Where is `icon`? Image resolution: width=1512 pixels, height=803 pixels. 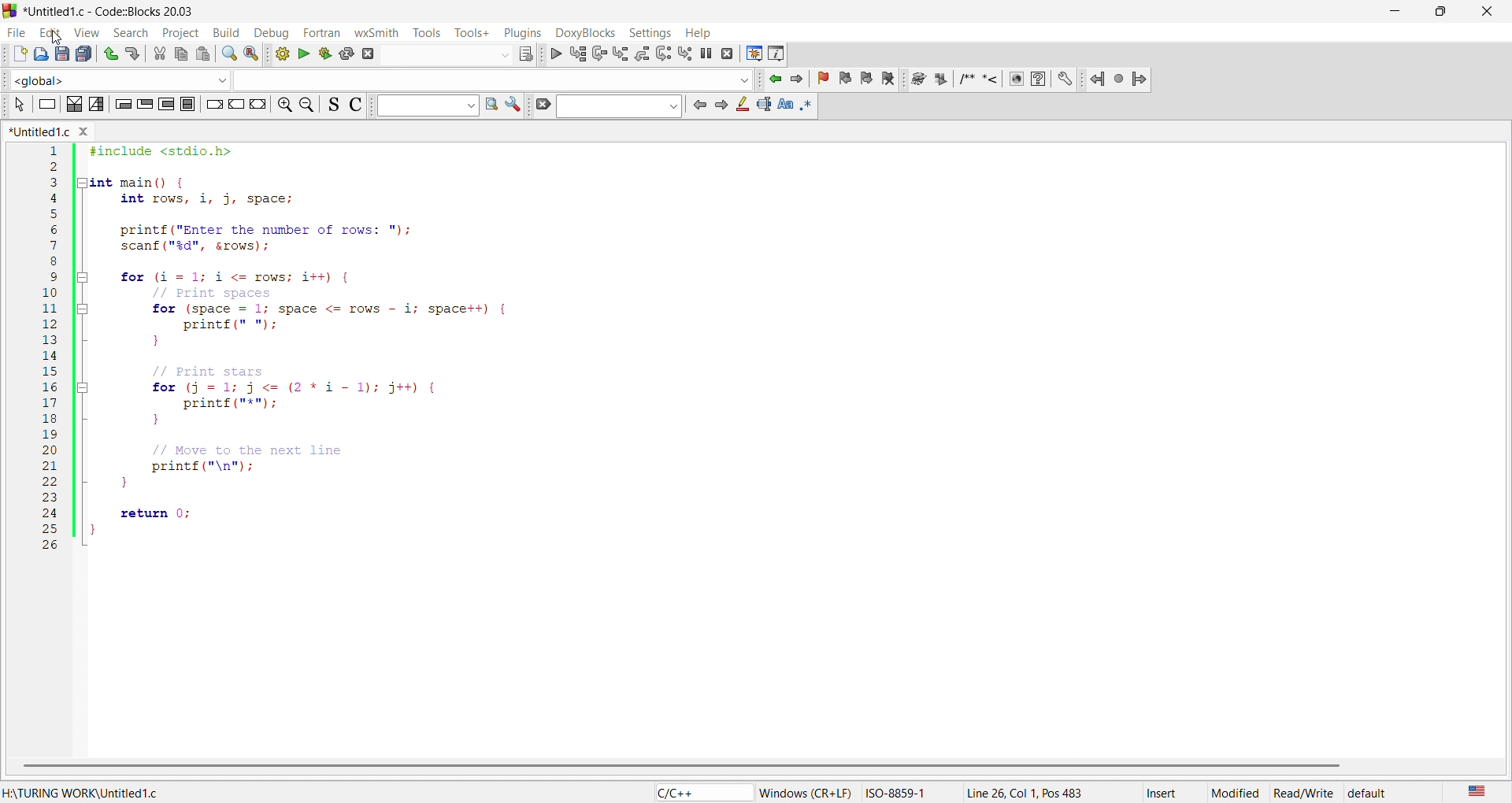
icon is located at coordinates (765, 106).